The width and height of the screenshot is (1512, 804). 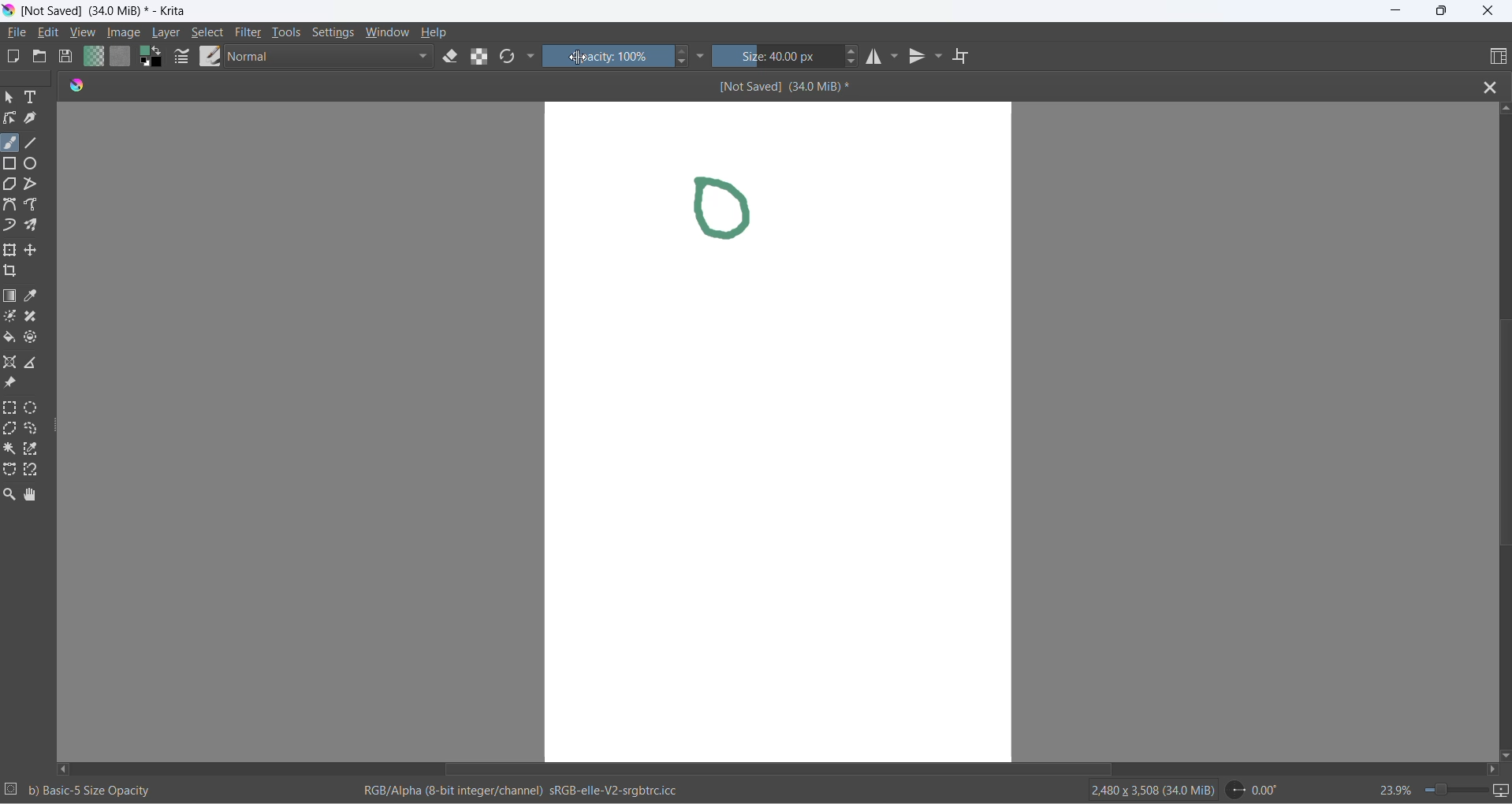 I want to click on freehand path tool, so click(x=37, y=205).